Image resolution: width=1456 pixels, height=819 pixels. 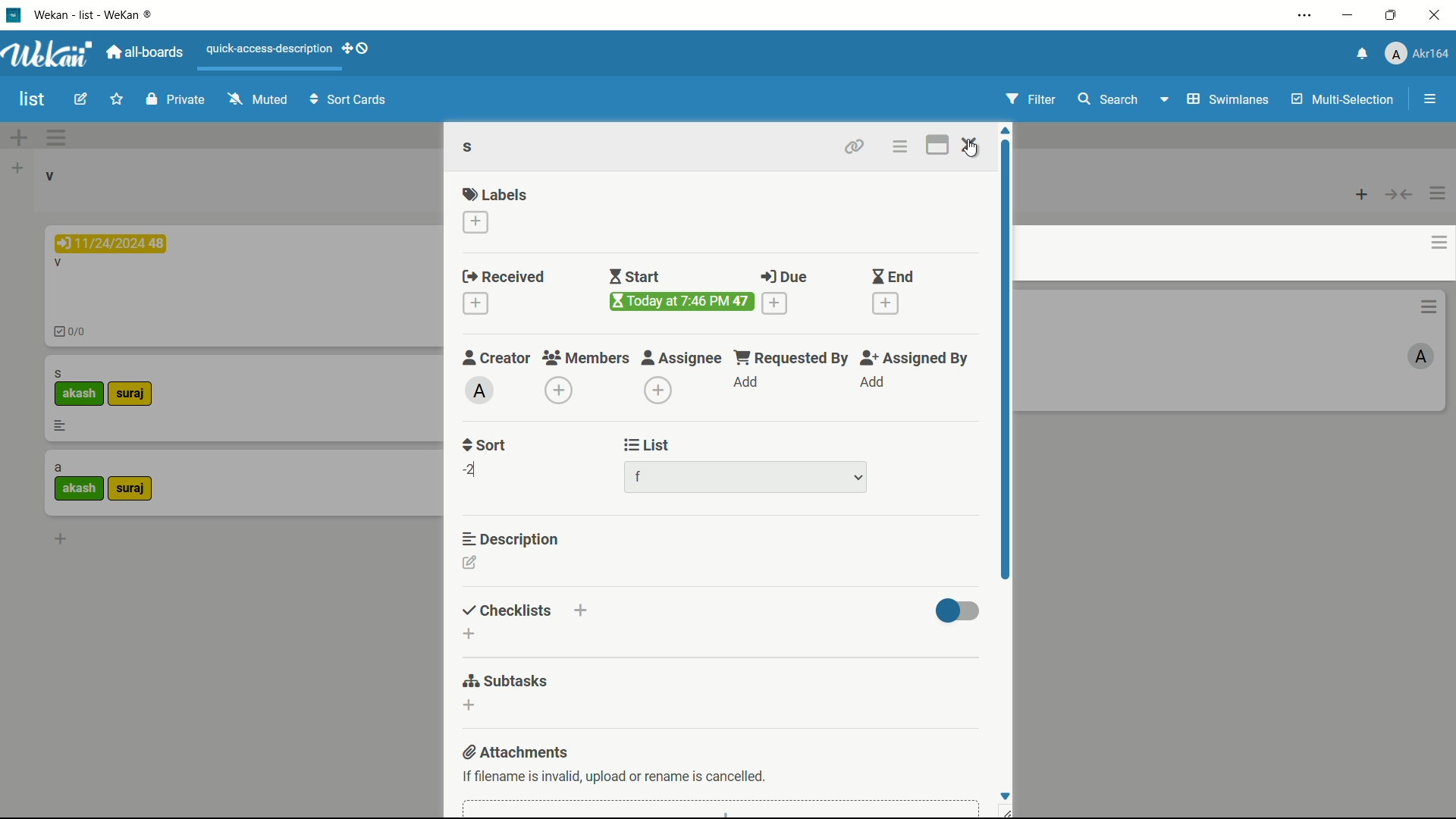 What do you see at coordinates (971, 146) in the screenshot?
I see `close card` at bounding box center [971, 146].